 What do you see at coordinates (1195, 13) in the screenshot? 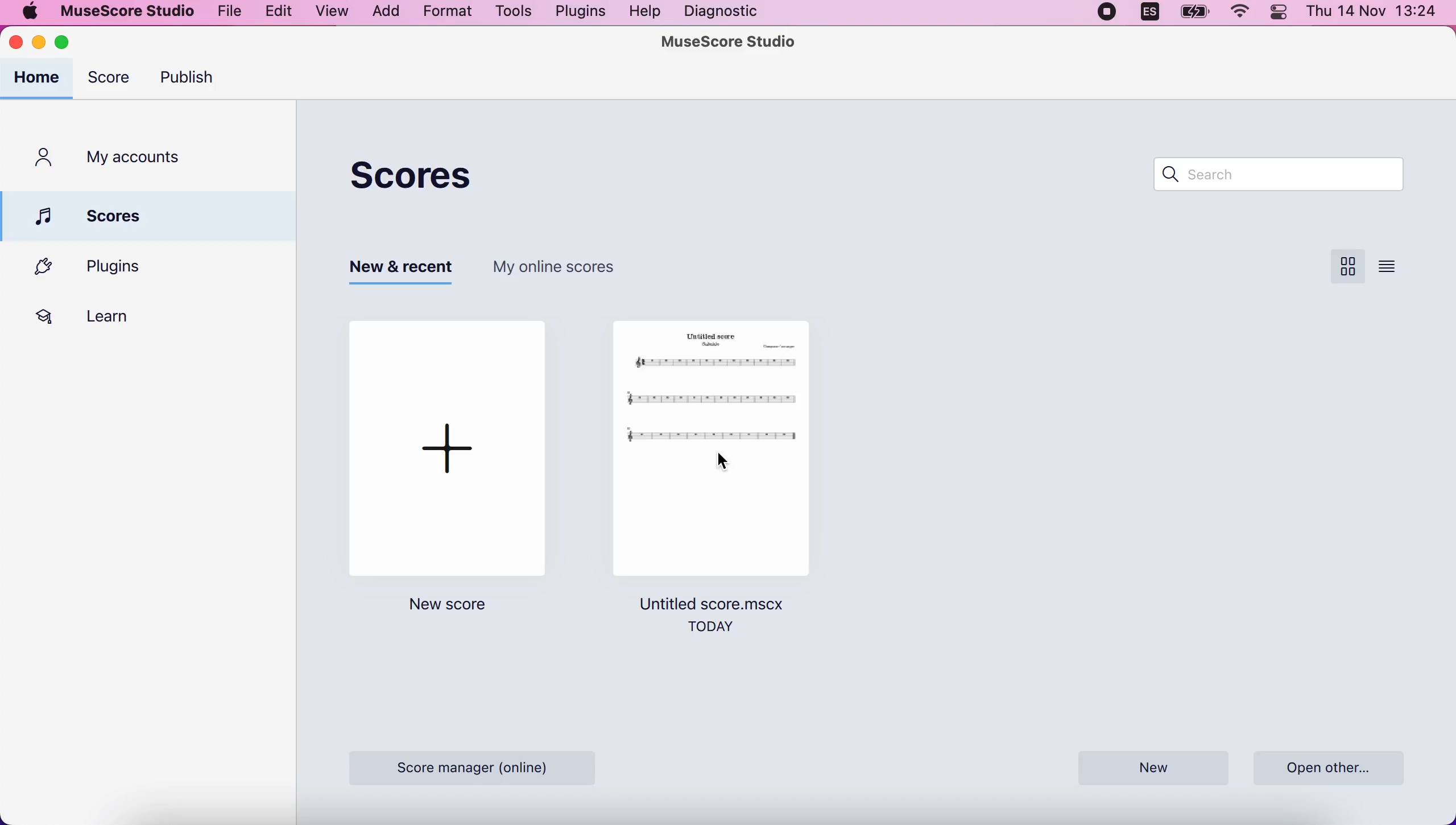
I see `battery` at bounding box center [1195, 13].